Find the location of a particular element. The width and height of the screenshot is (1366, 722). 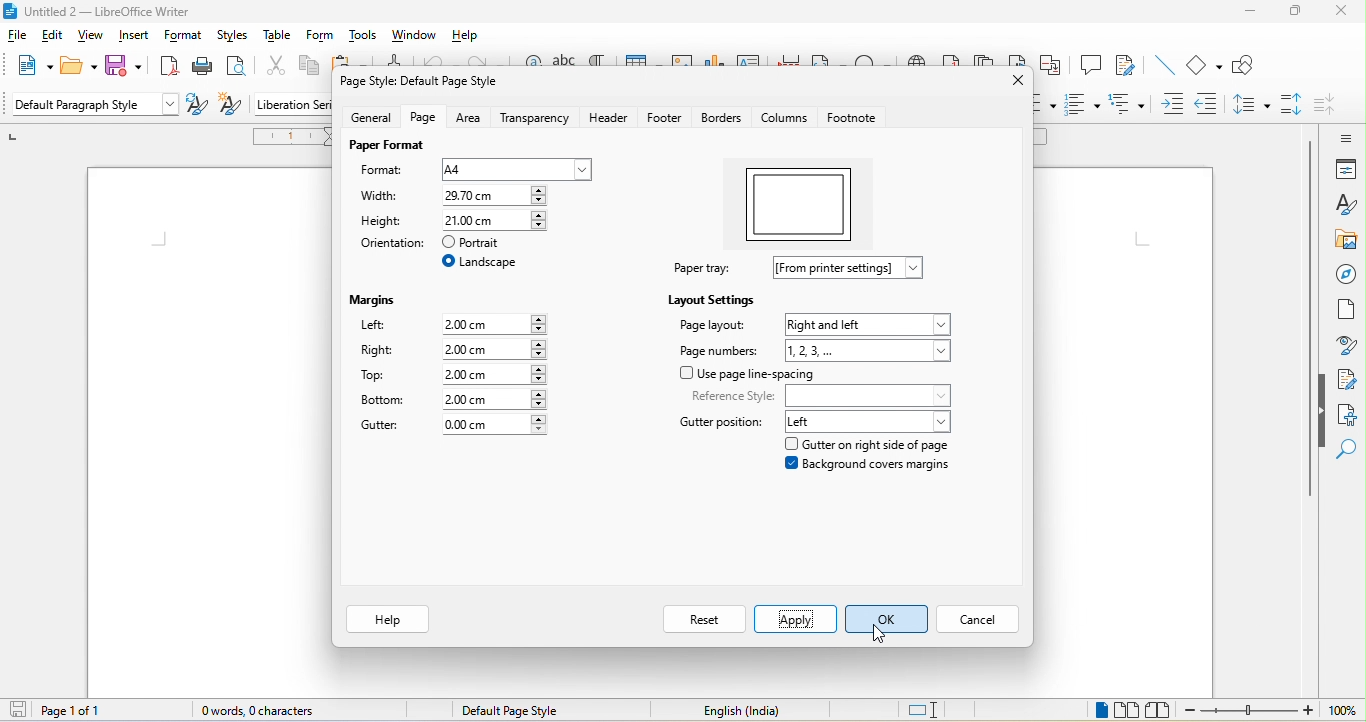

page layout is located at coordinates (713, 329).